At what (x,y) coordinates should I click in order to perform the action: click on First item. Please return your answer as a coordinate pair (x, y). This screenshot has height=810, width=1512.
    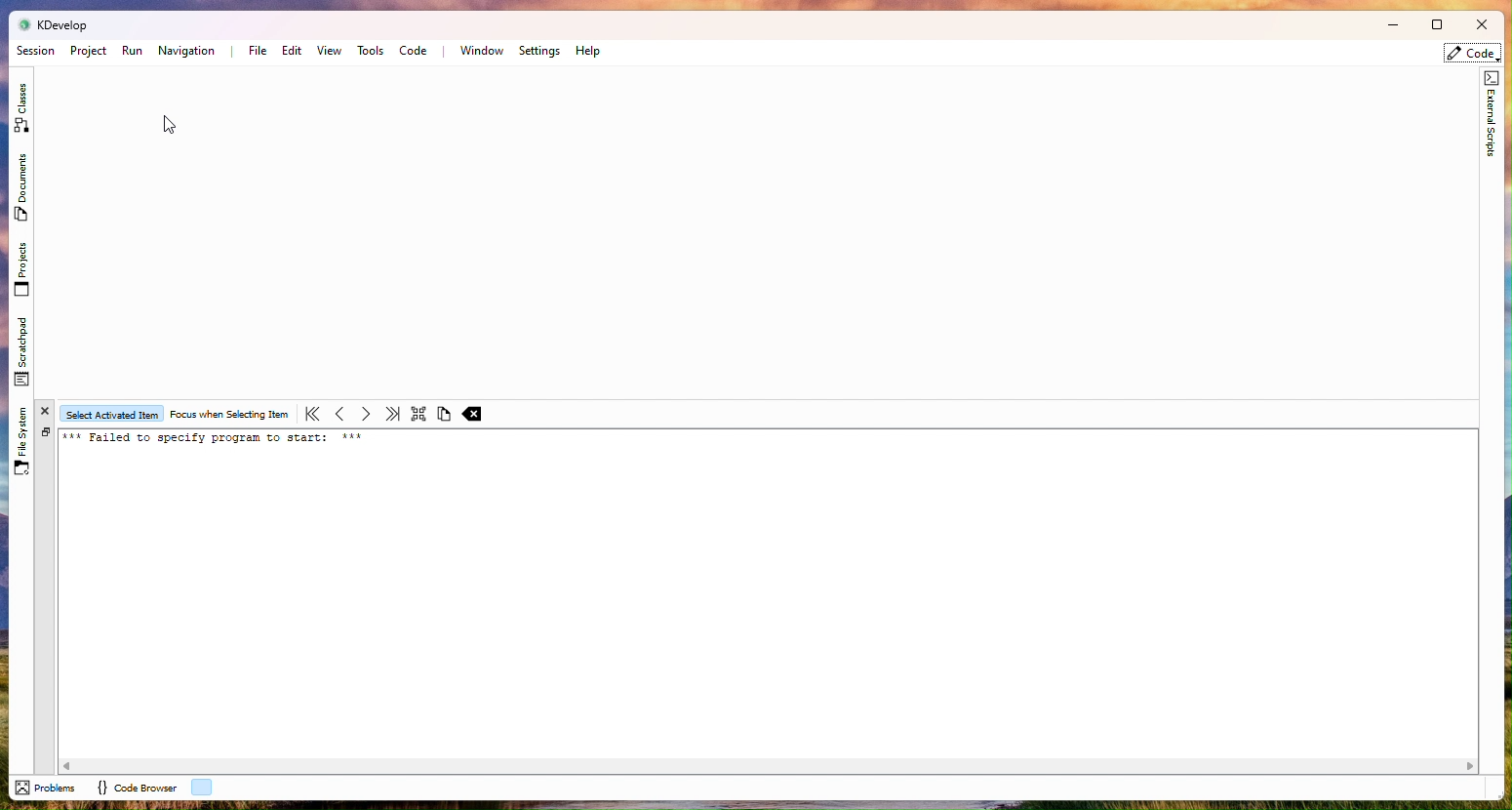
    Looking at the image, I should click on (312, 413).